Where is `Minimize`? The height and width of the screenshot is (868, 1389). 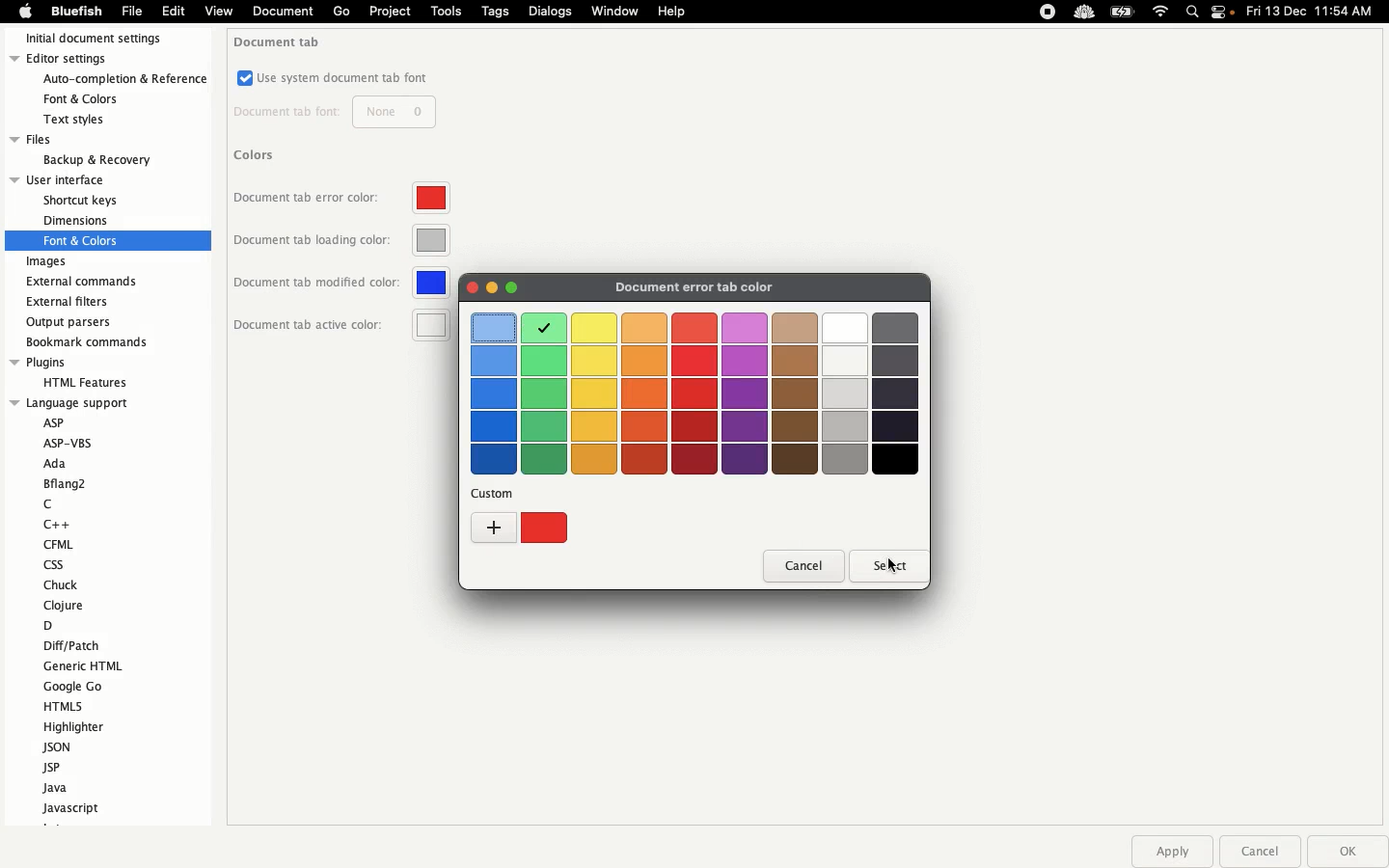 Minimize is located at coordinates (491, 288).